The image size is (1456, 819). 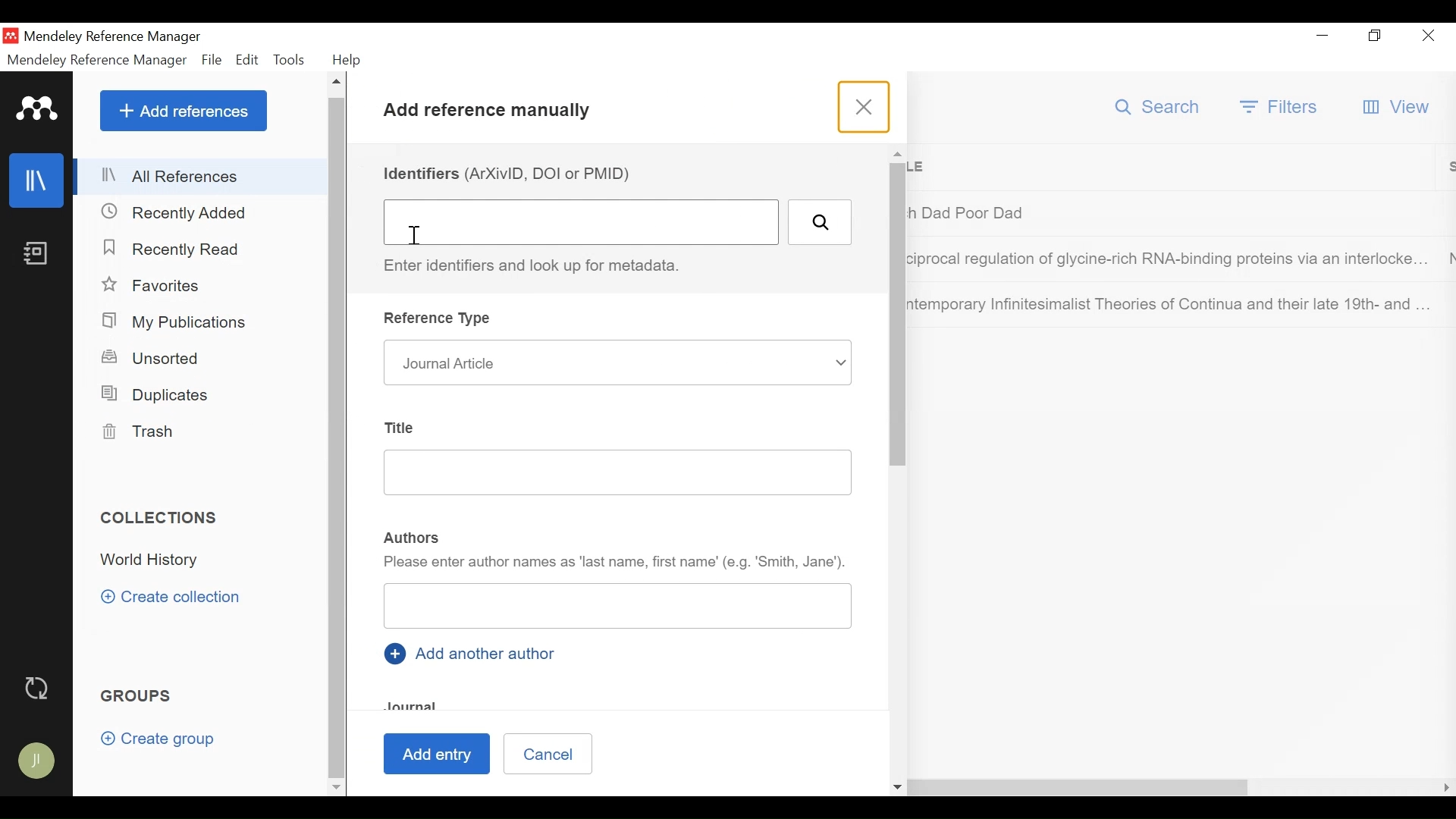 What do you see at coordinates (475, 653) in the screenshot?
I see `Add another author` at bounding box center [475, 653].